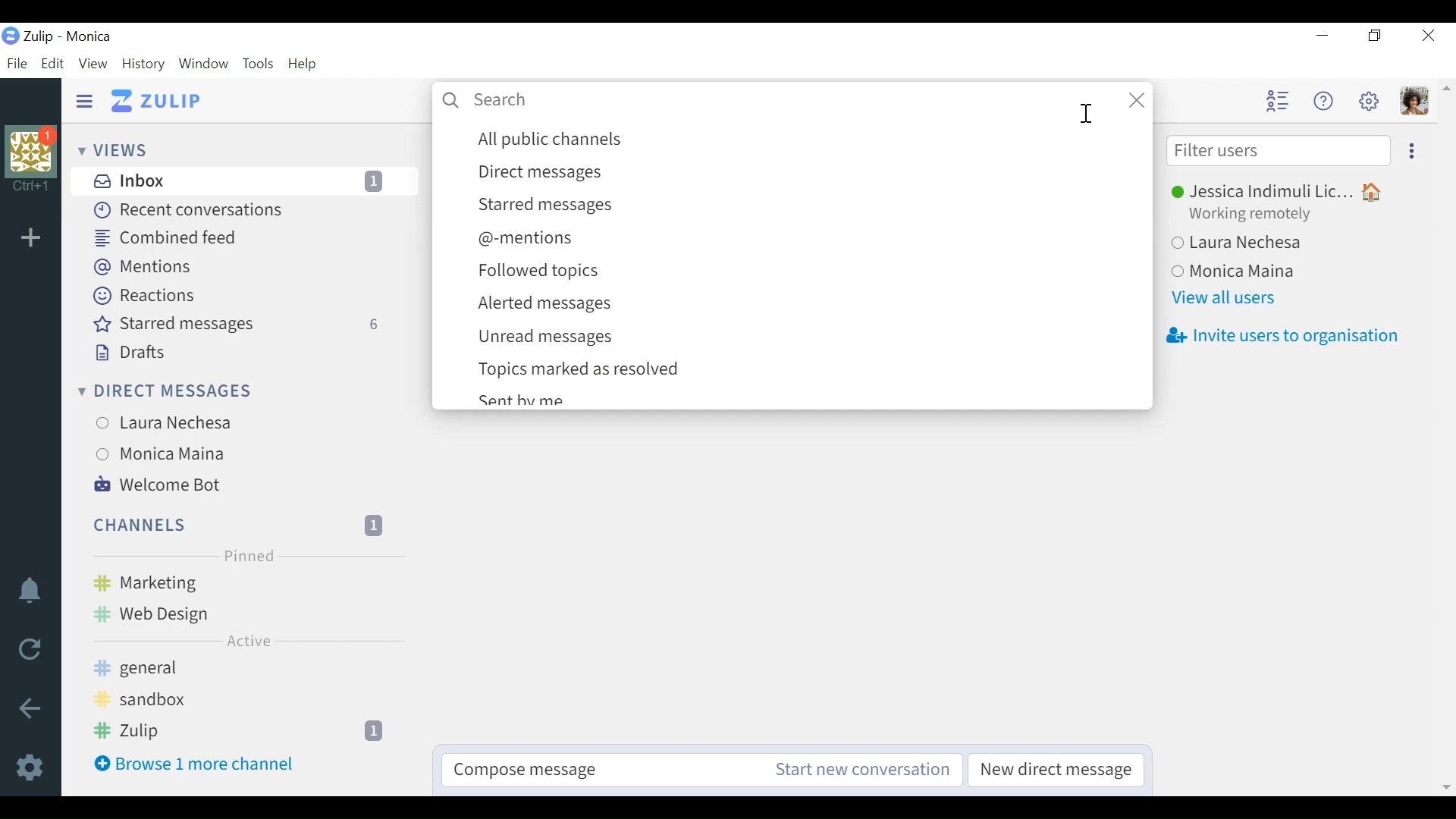 This screenshot has height=819, width=1456. I want to click on Marketing, so click(247, 582).